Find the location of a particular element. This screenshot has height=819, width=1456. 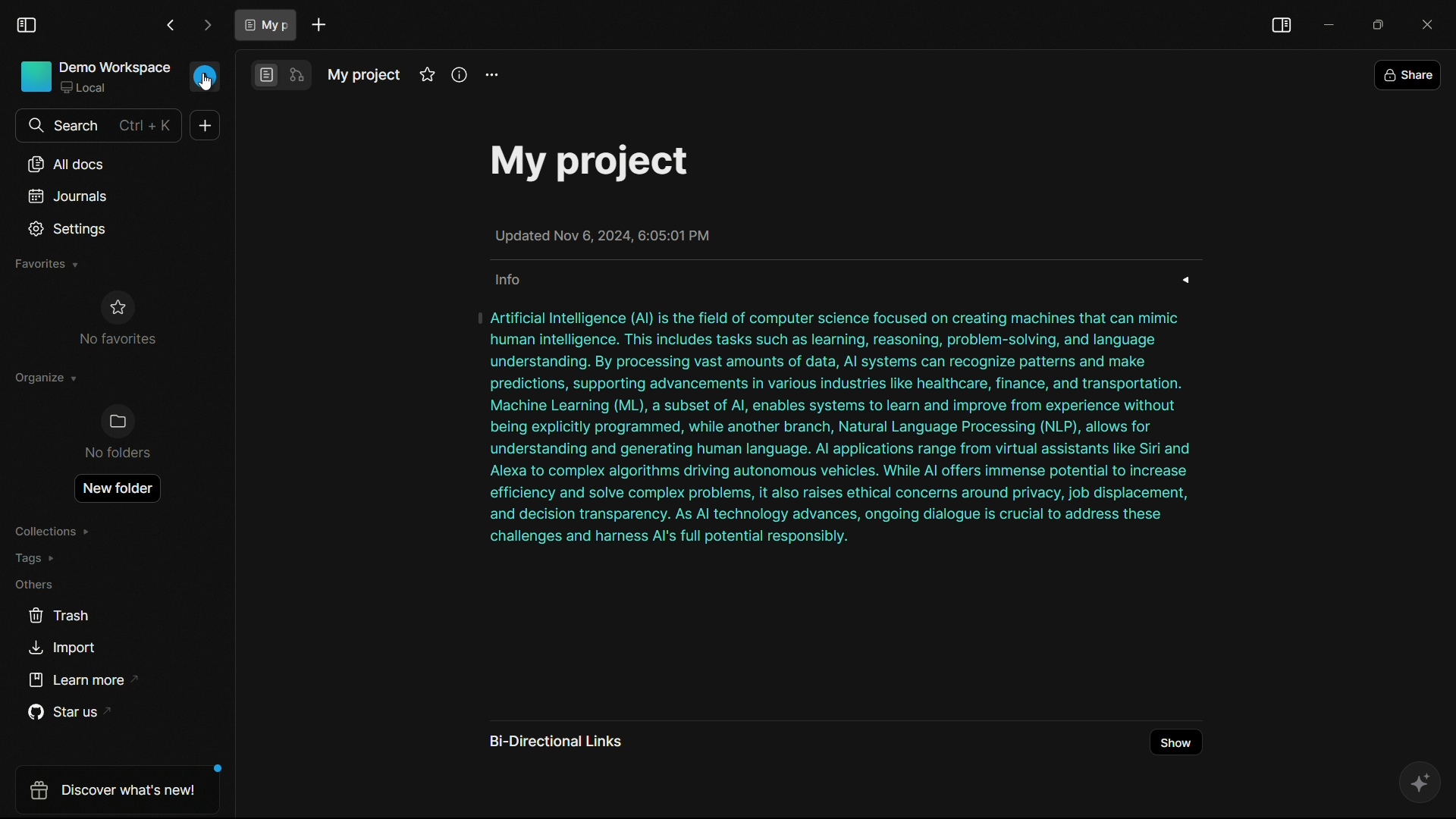

minimize is located at coordinates (1327, 24).